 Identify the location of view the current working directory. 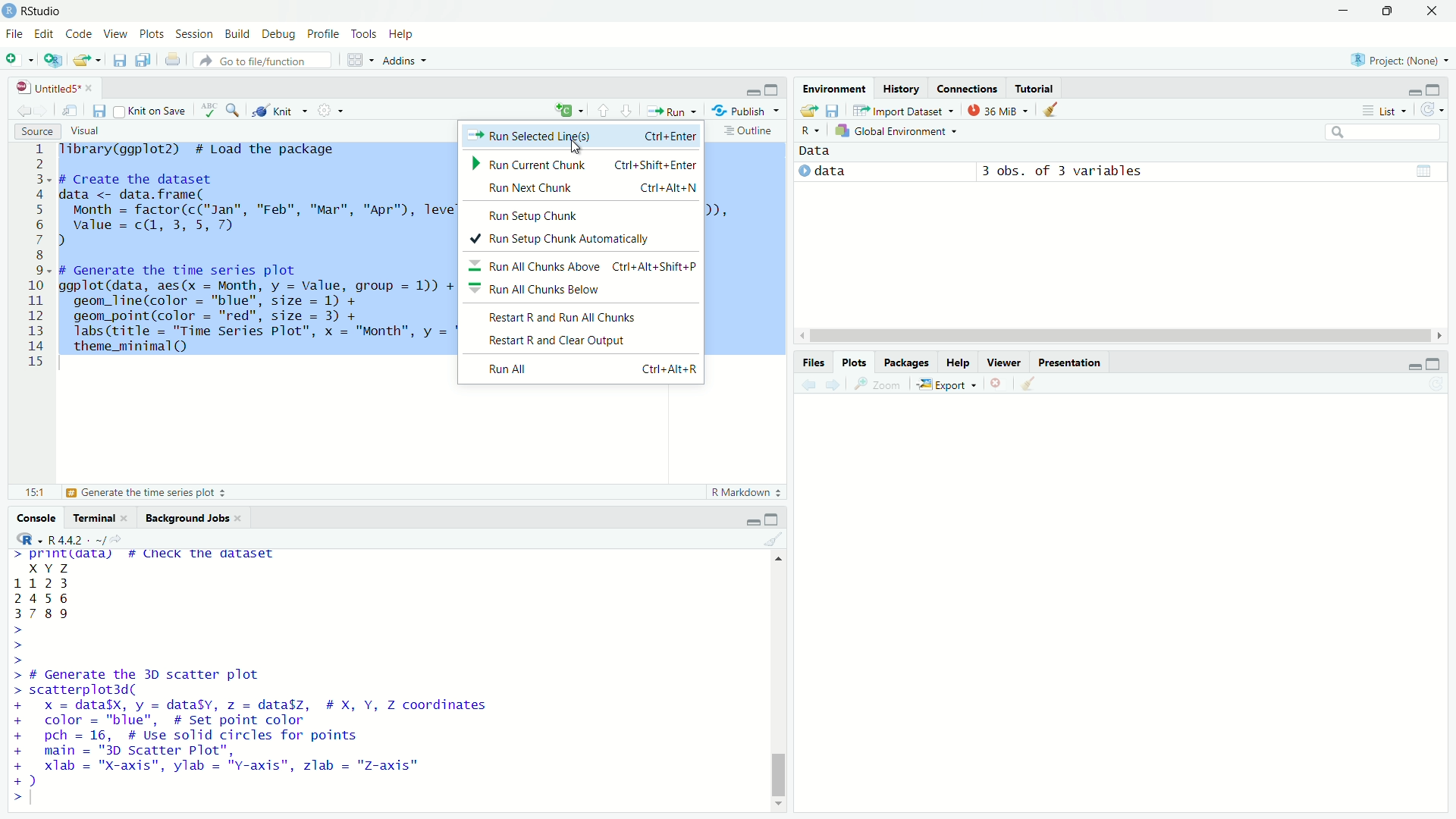
(118, 538).